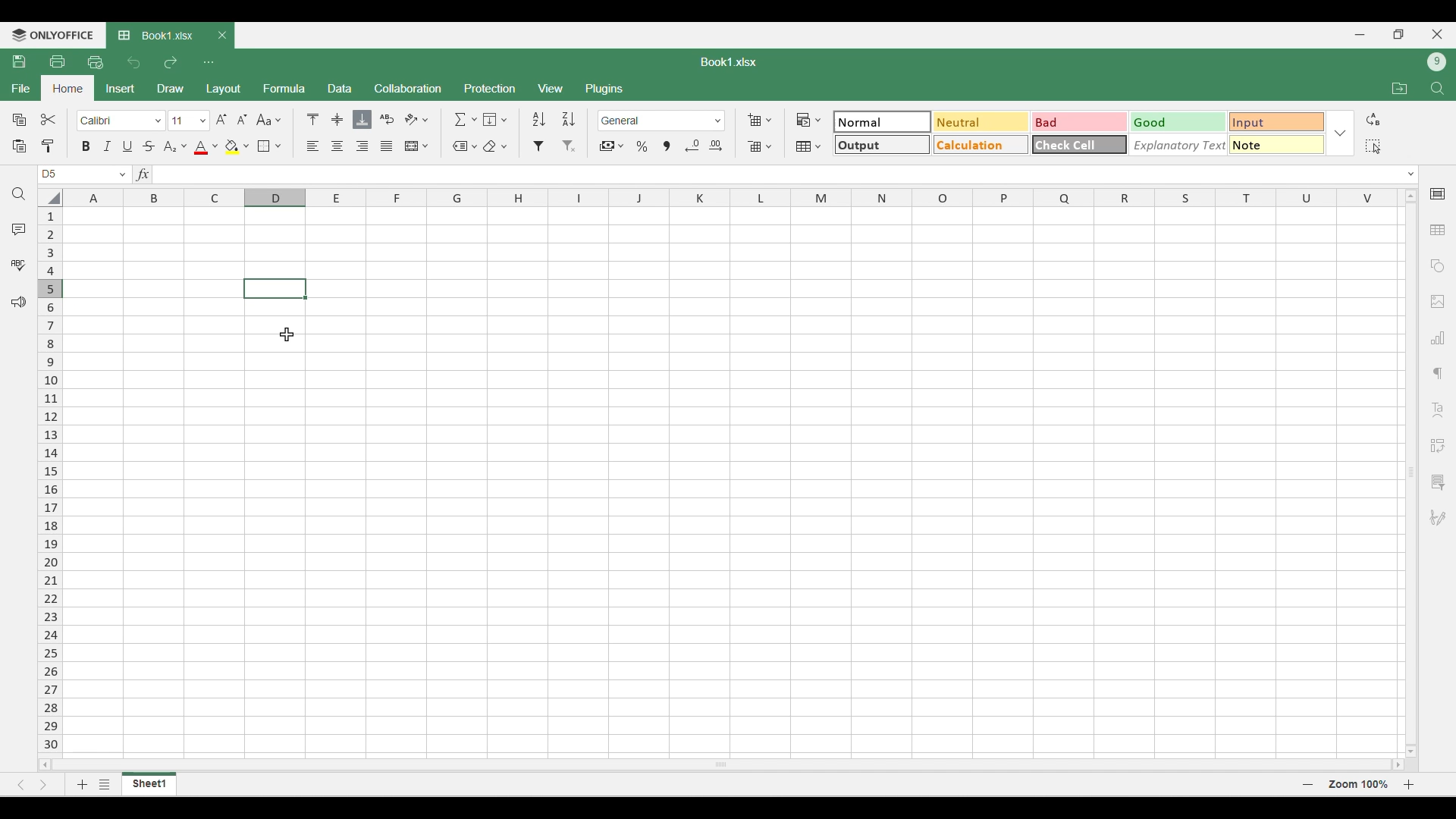  I want to click on Text font options, so click(121, 121).